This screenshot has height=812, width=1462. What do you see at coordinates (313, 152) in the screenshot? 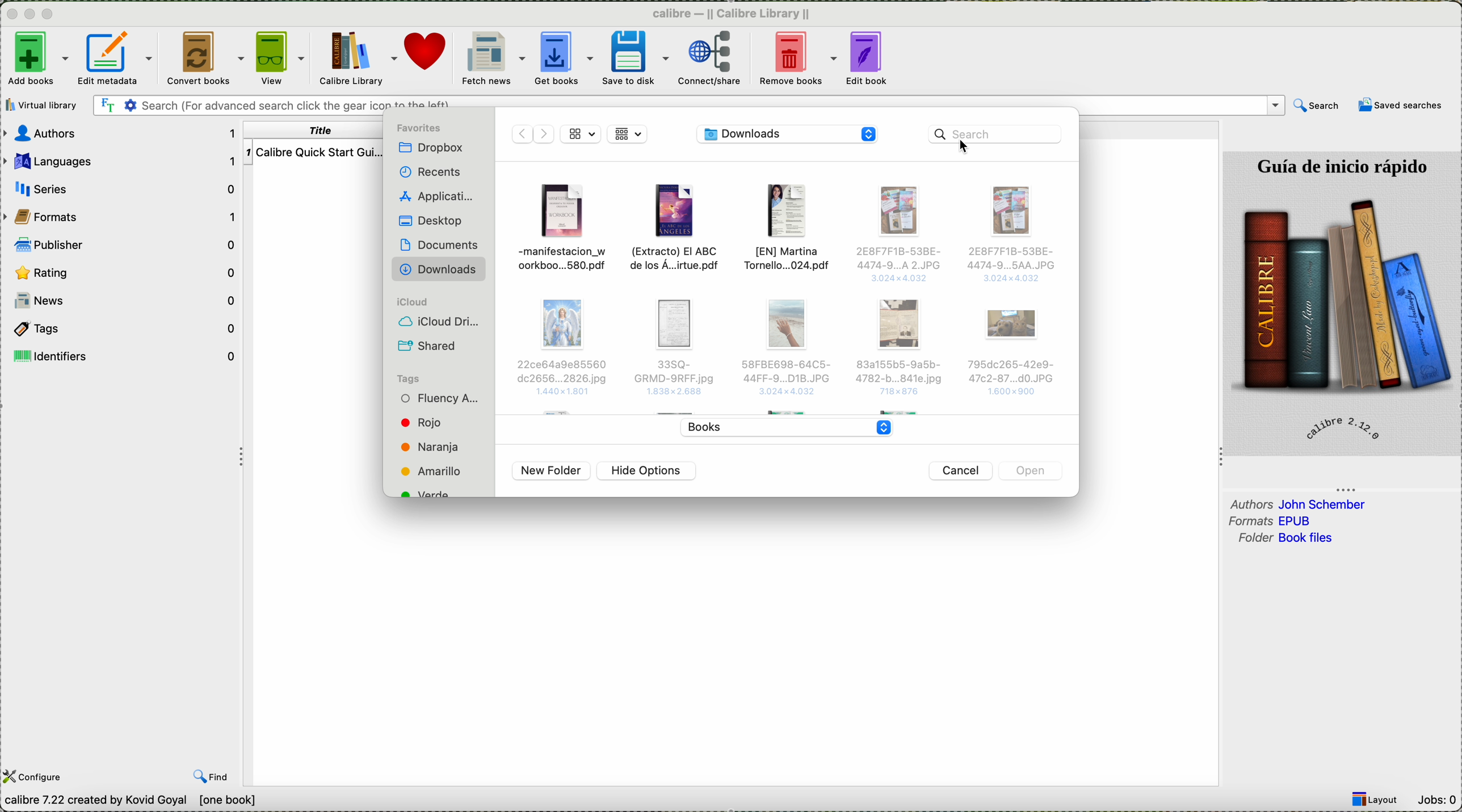
I see `Calibre Quick start guide` at bounding box center [313, 152].